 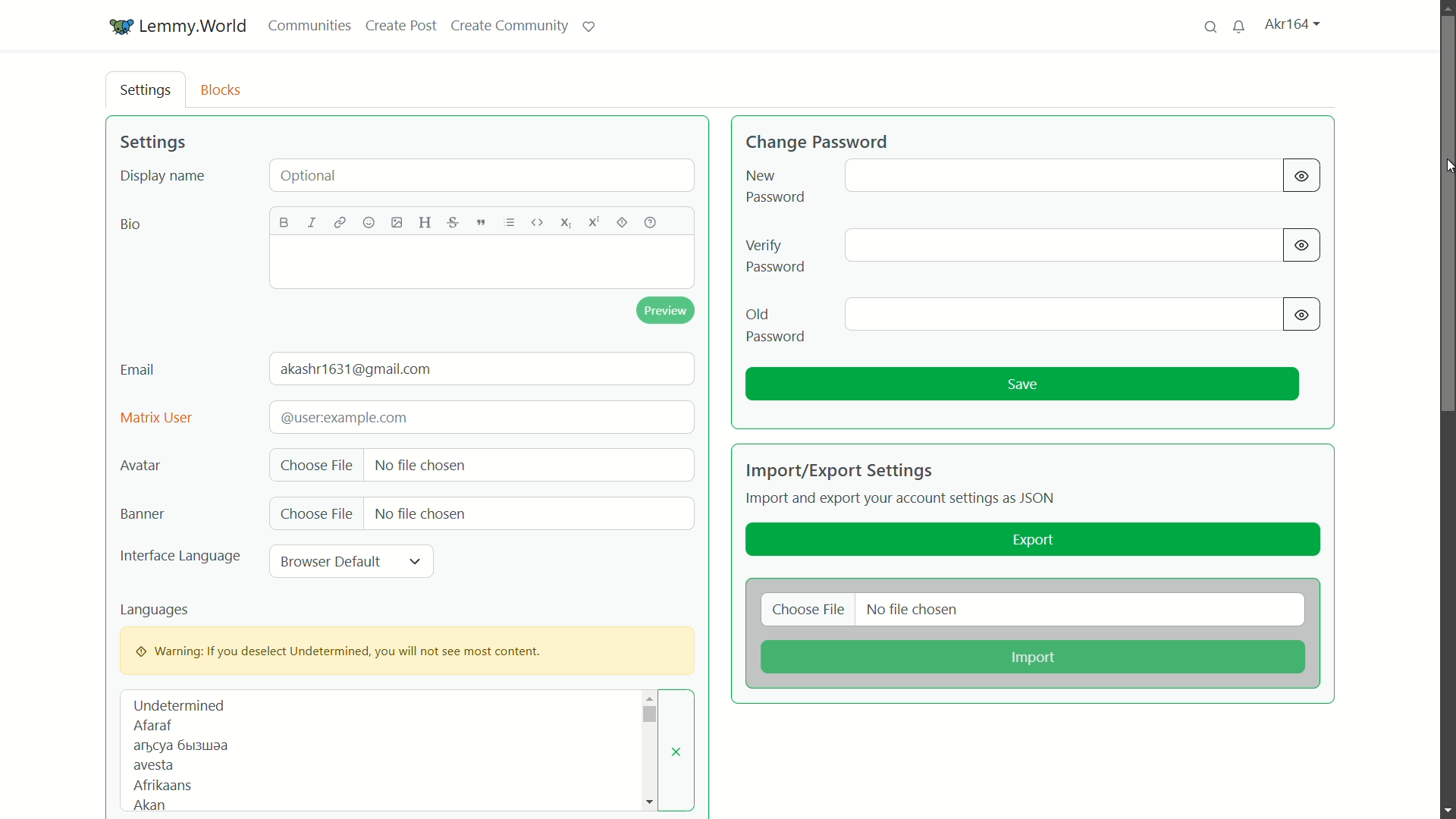 What do you see at coordinates (157, 419) in the screenshot?
I see `matrix user` at bounding box center [157, 419].